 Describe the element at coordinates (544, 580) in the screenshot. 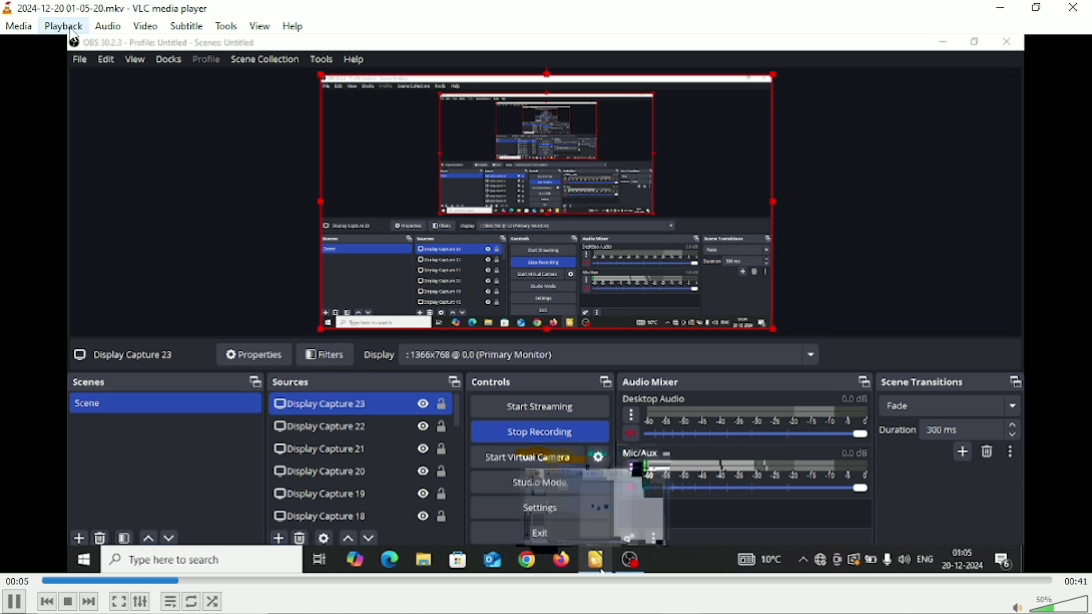

I see `Play duration` at that location.